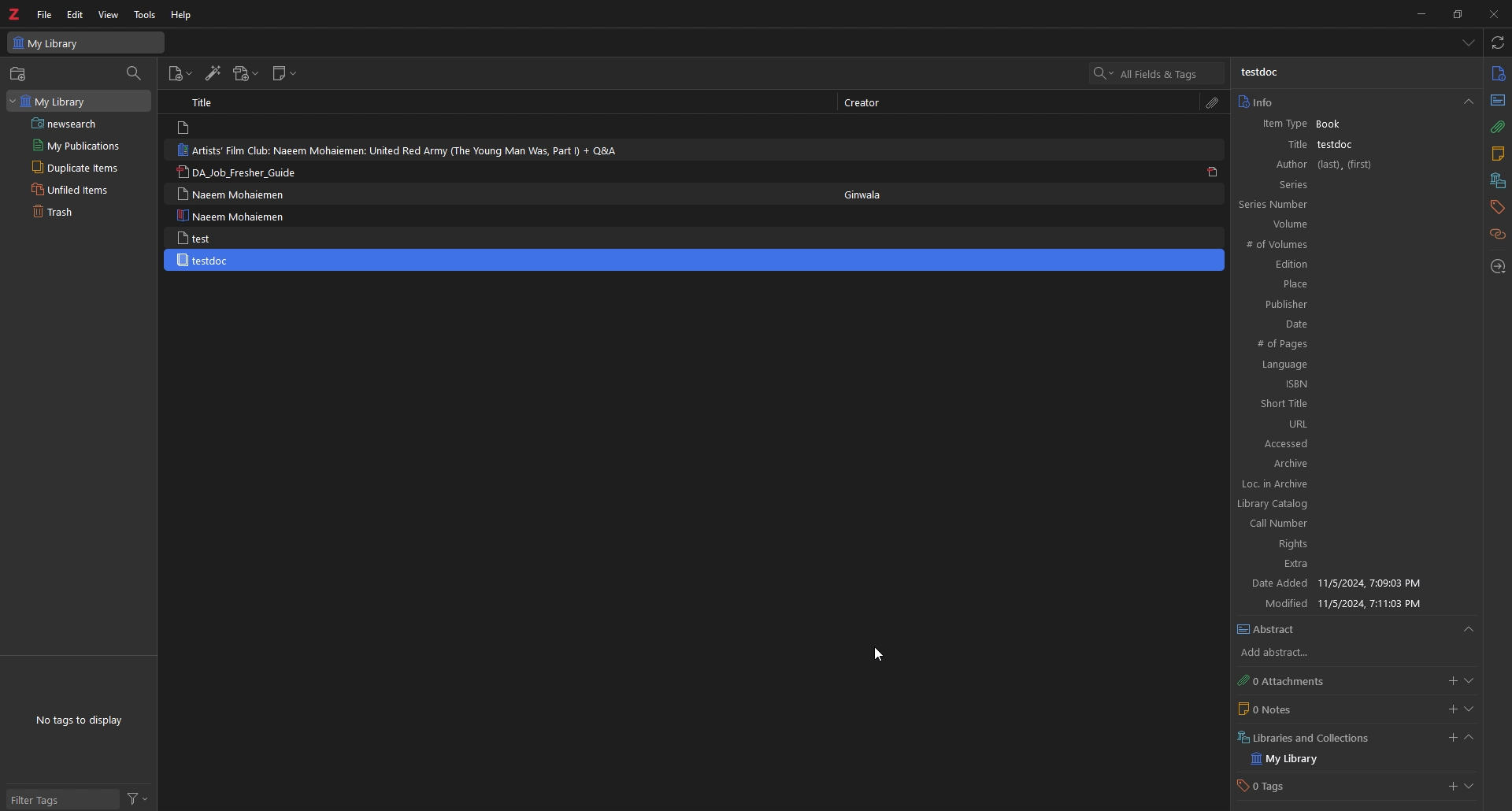 The width and height of the screenshot is (1512, 811). I want to click on Date Added 11/5/2024, 7:09:03 PM, so click(1348, 584).